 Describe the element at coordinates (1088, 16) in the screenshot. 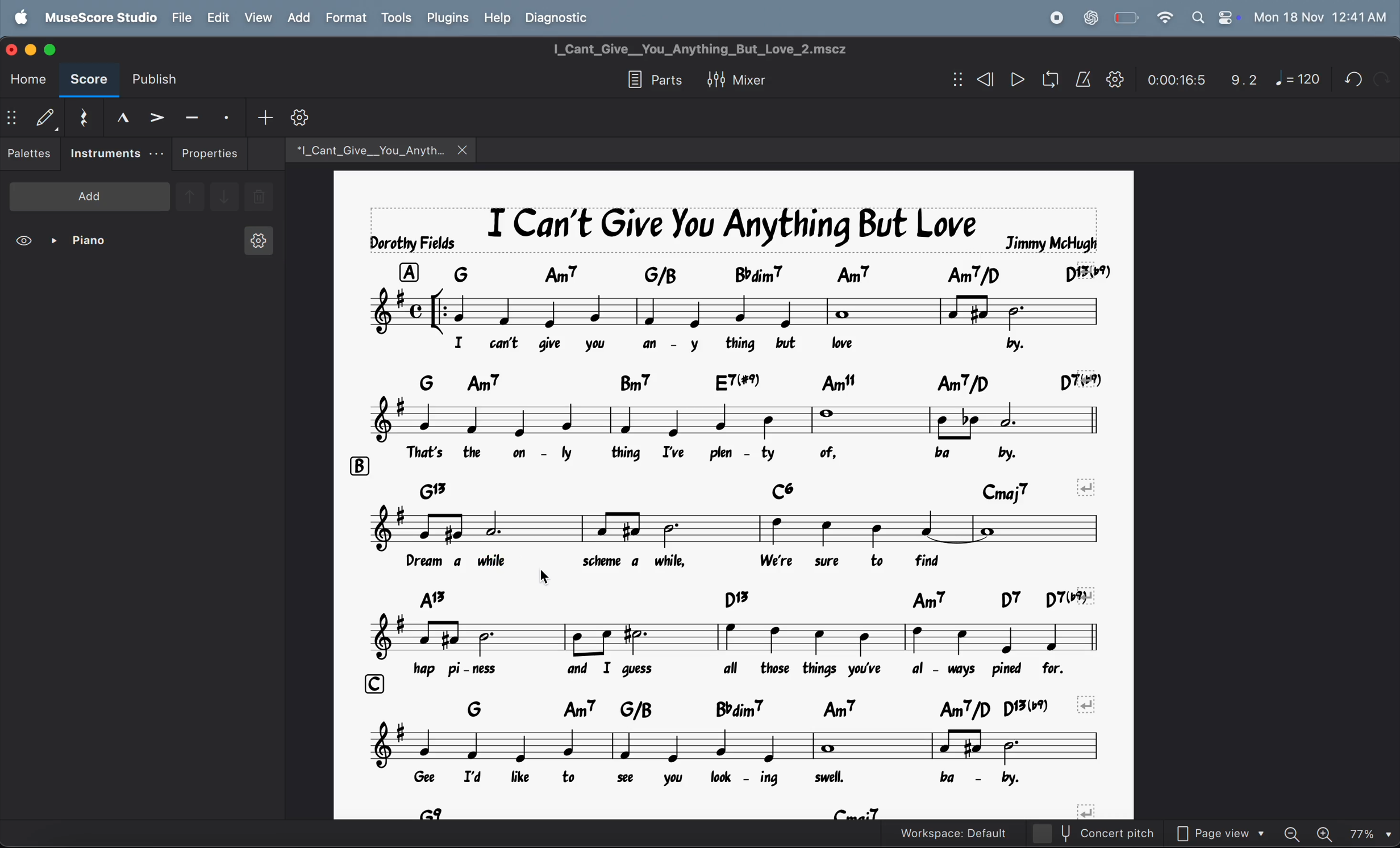

I see `chat gpt` at that location.